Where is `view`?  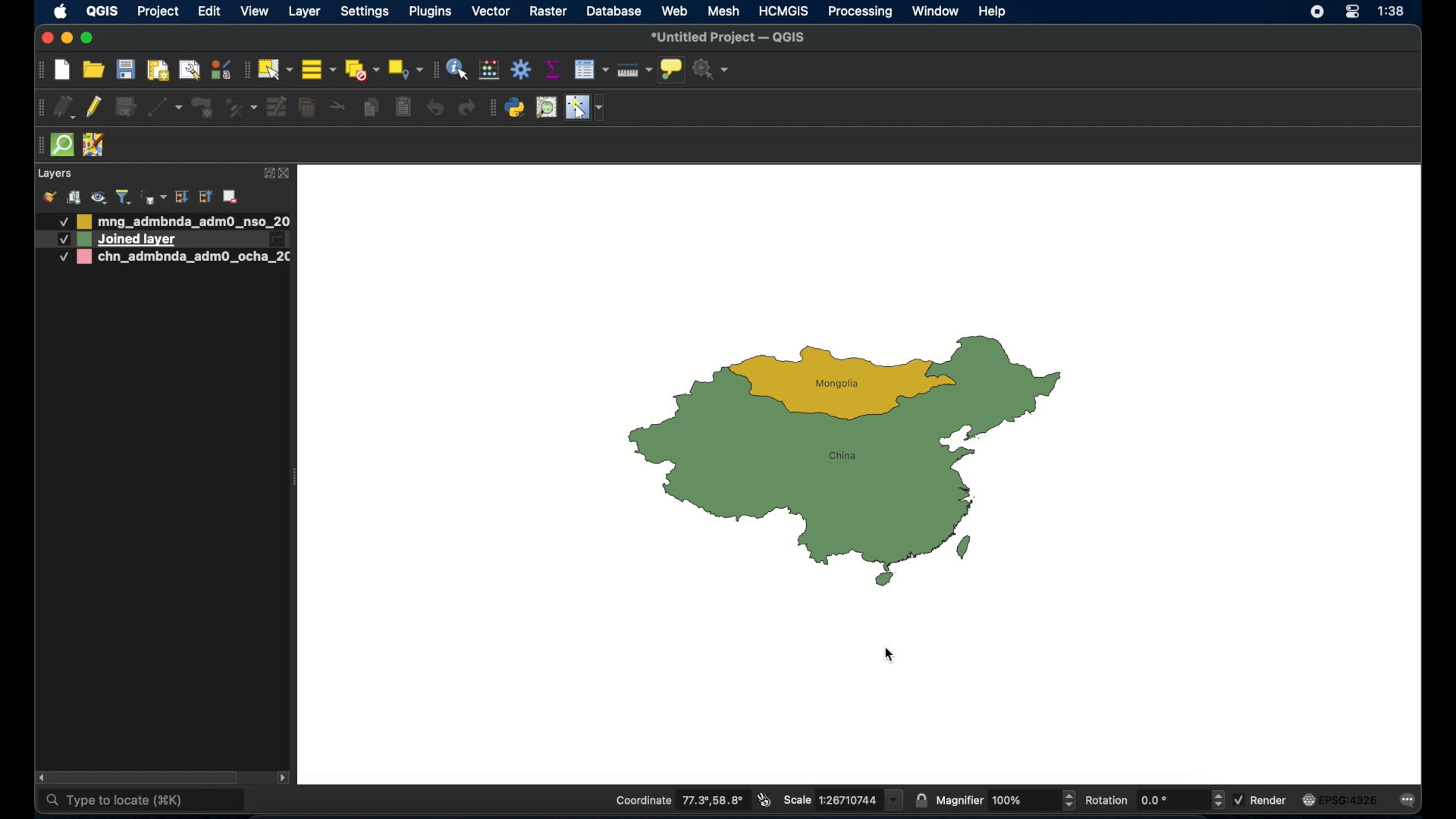 view is located at coordinates (254, 12).